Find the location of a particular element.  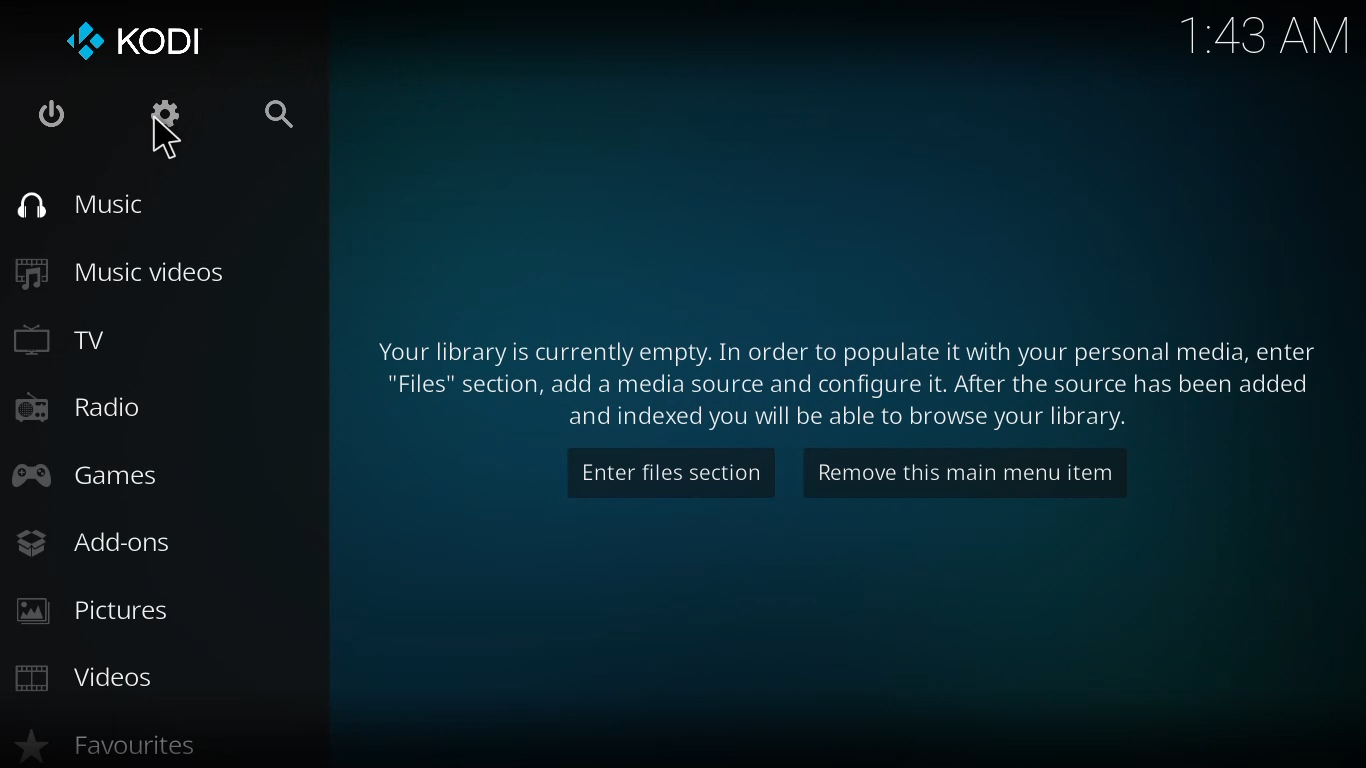

favorites is located at coordinates (107, 747).